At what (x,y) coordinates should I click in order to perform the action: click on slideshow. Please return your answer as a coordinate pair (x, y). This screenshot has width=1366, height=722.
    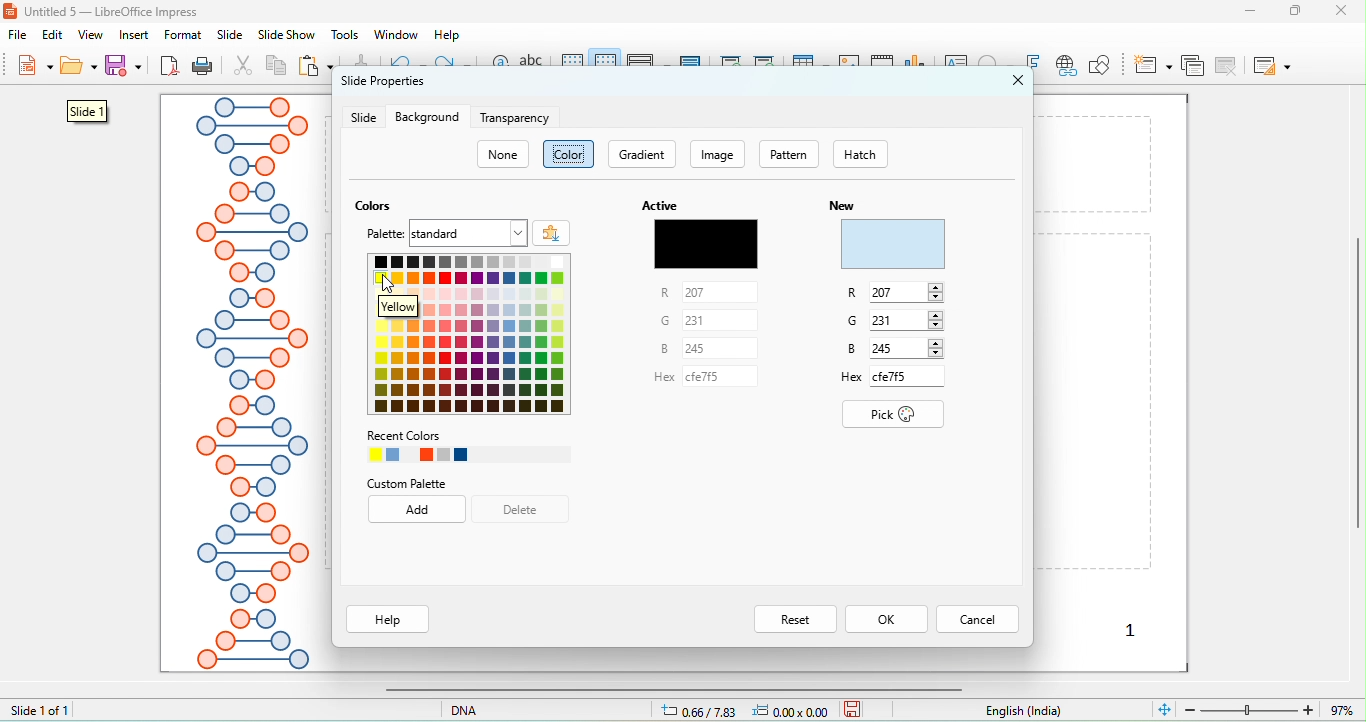
    Looking at the image, I should click on (285, 36).